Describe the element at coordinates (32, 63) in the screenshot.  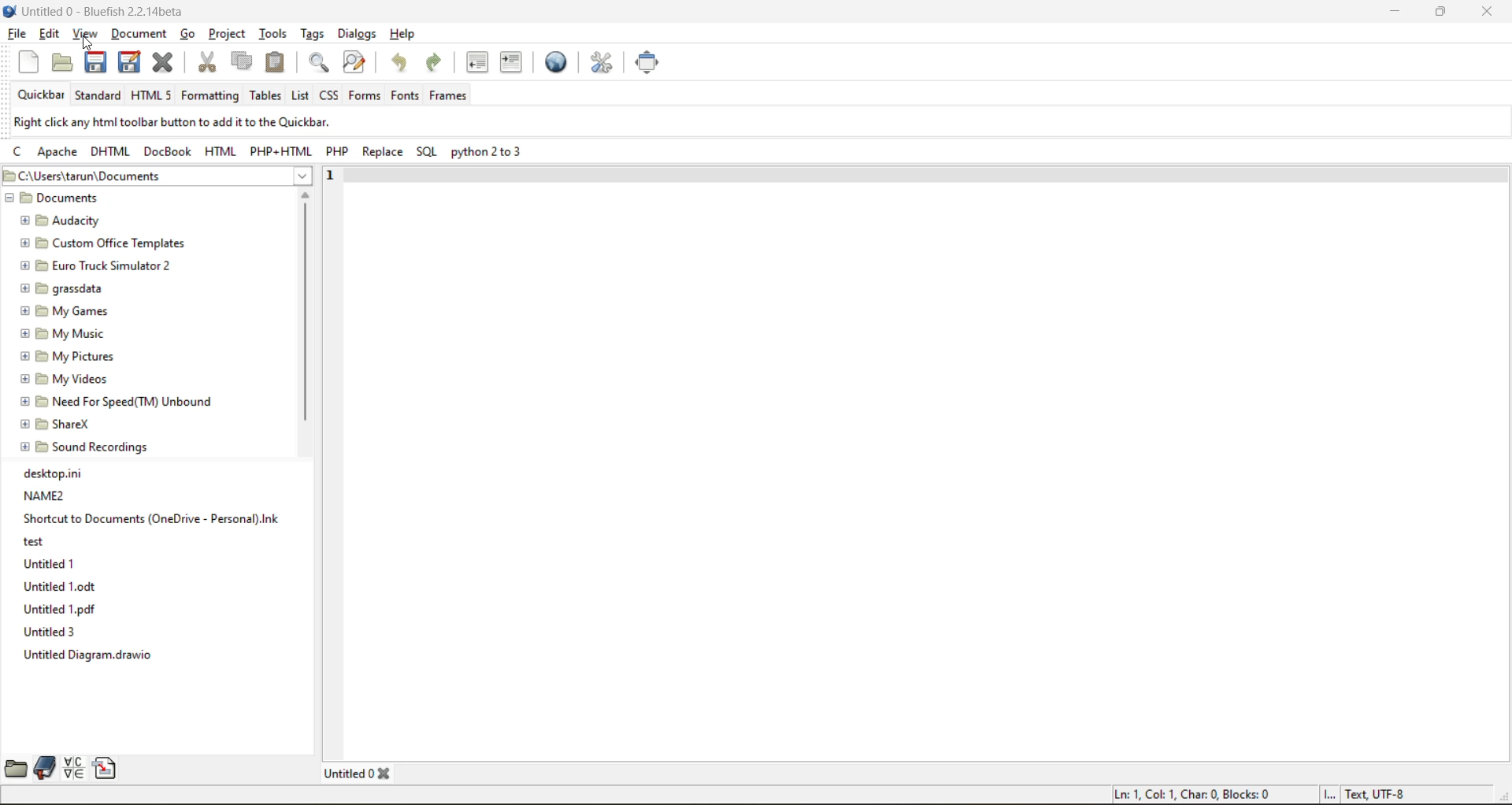
I see `new` at that location.